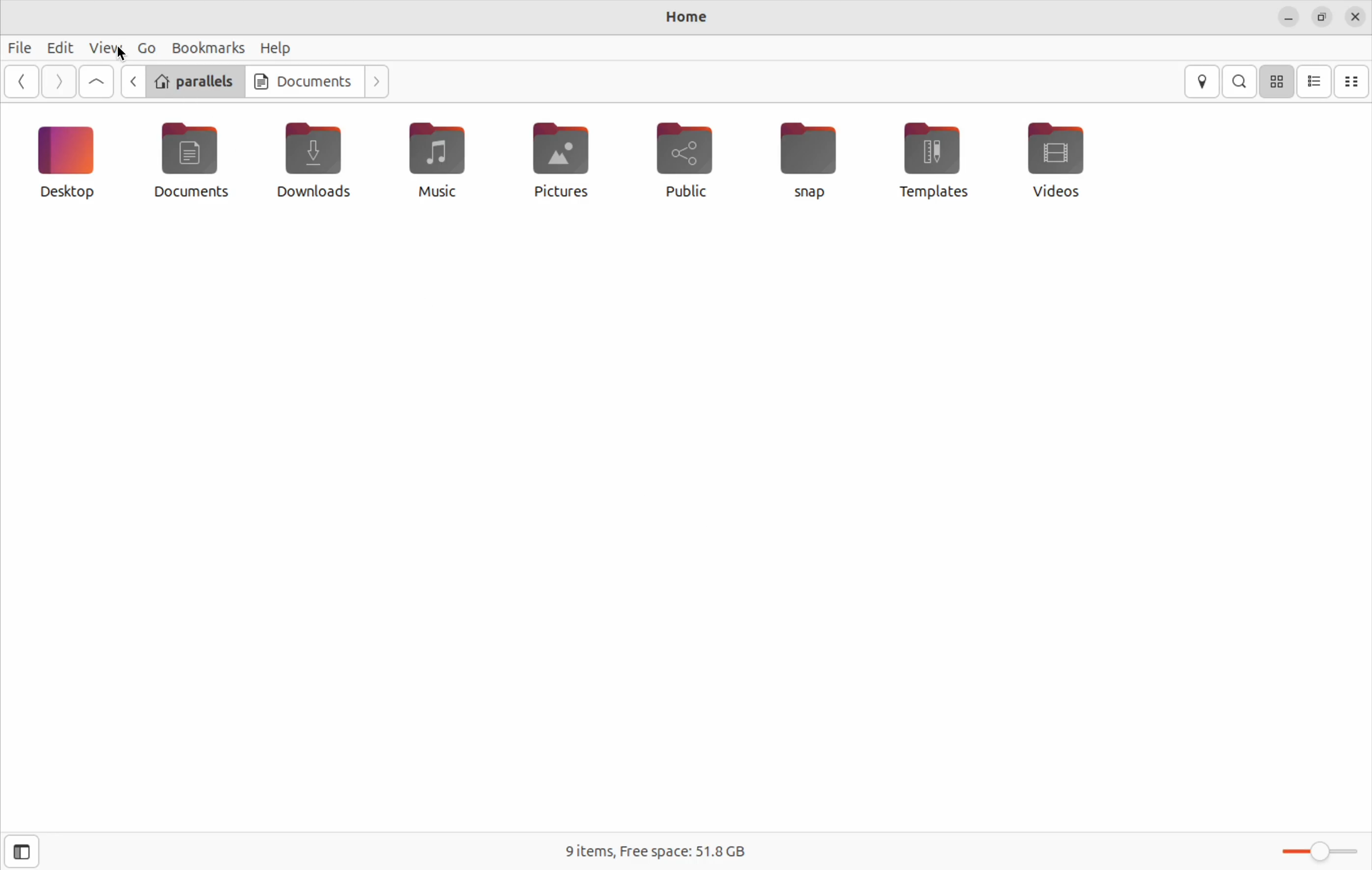  What do you see at coordinates (147, 50) in the screenshot?
I see `Go` at bounding box center [147, 50].